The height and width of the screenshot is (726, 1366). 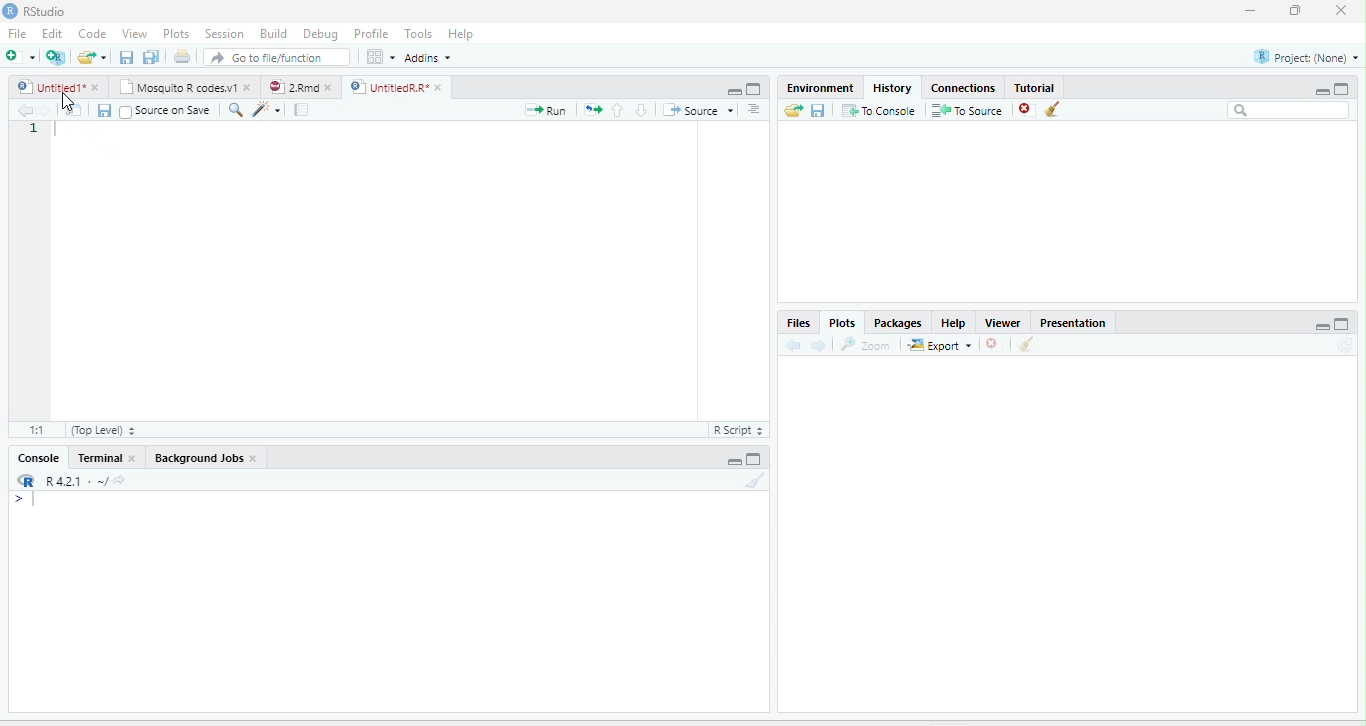 I want to click on R Script, so click(x=739, y=430).